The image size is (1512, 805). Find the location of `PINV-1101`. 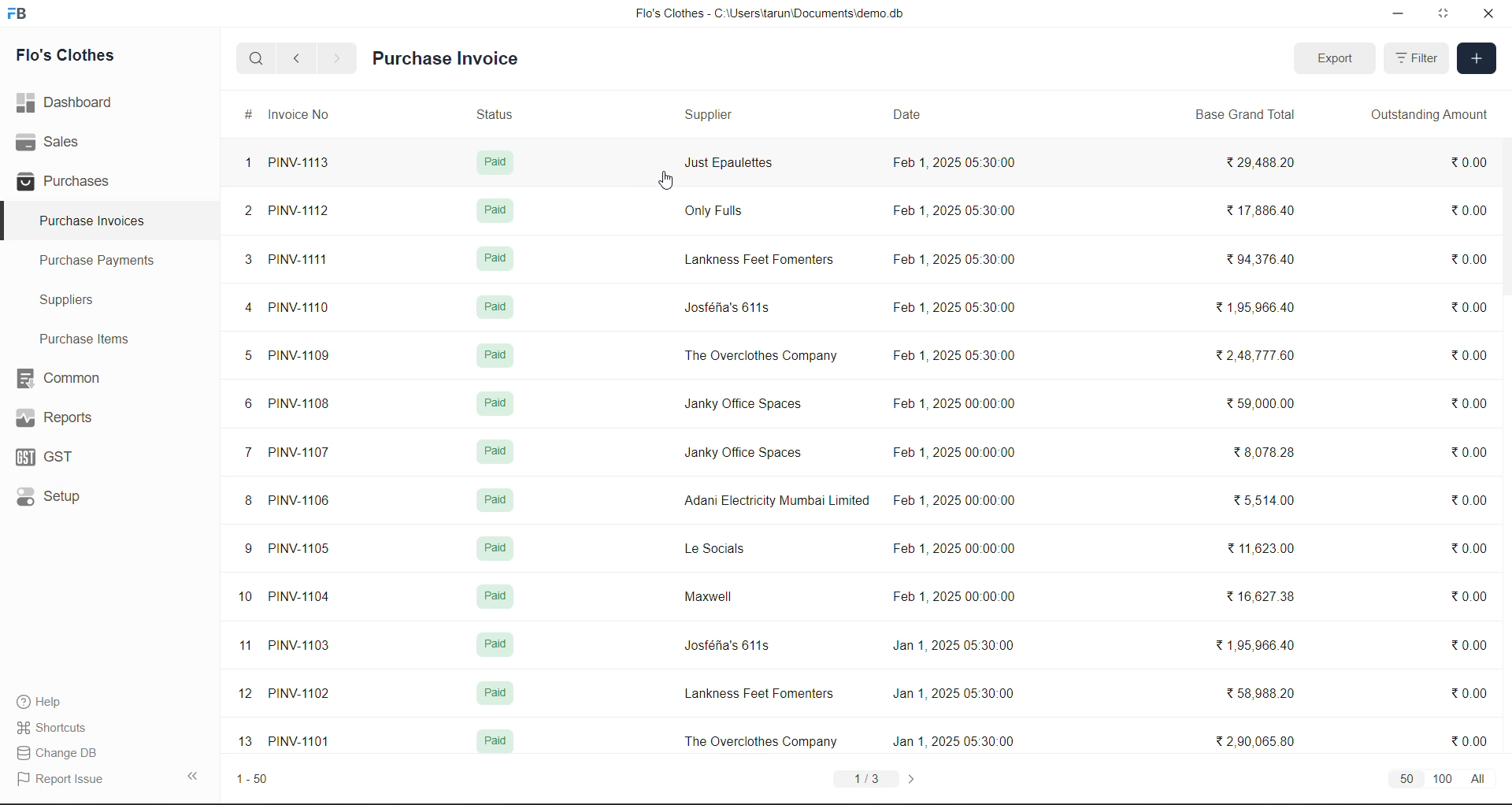

PINV-1101 is located at coordinates (300, 743).